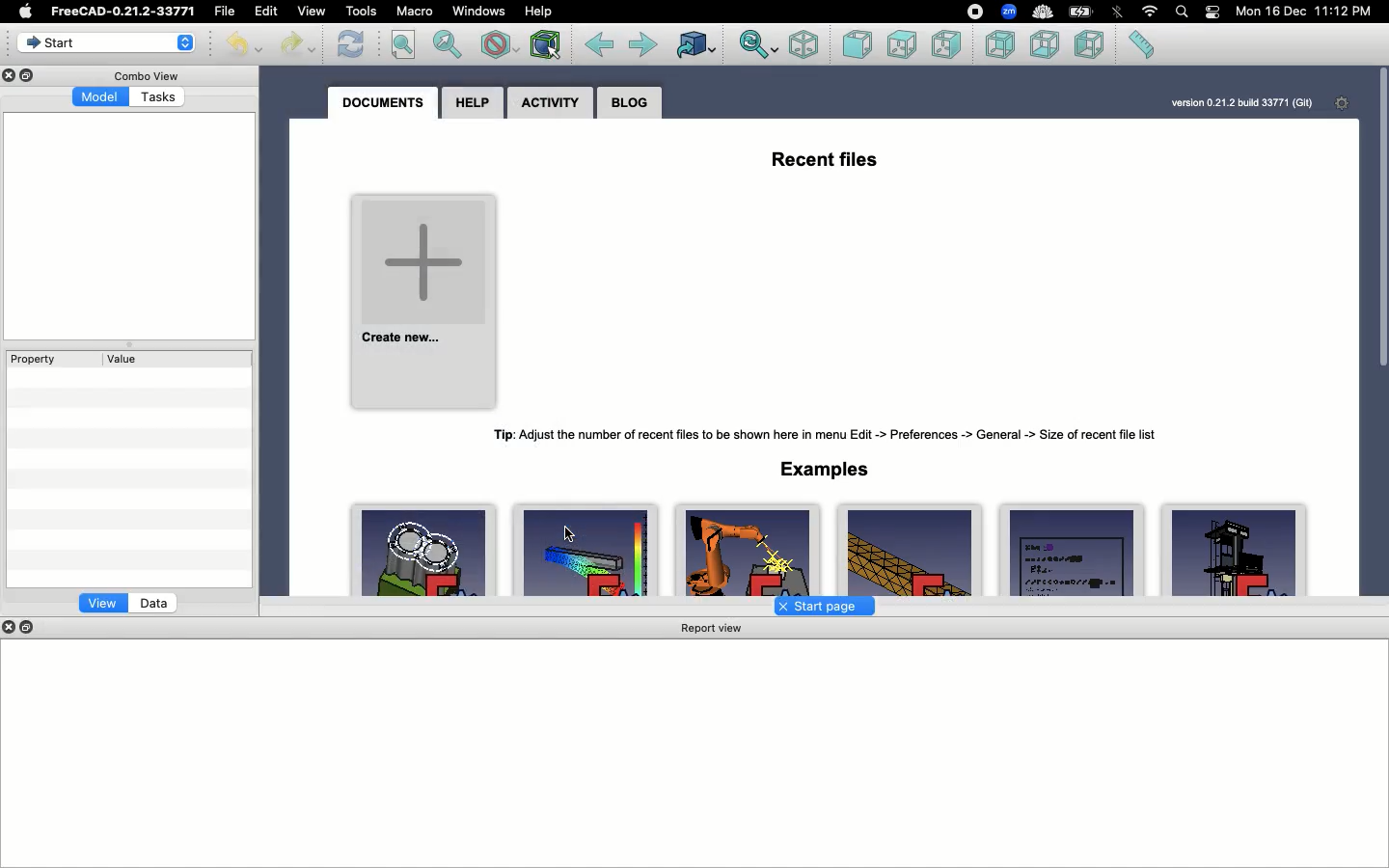 Image resolution: width=1389 pixels, height=868 pixels. I want to click on Window, so click(477, 13).